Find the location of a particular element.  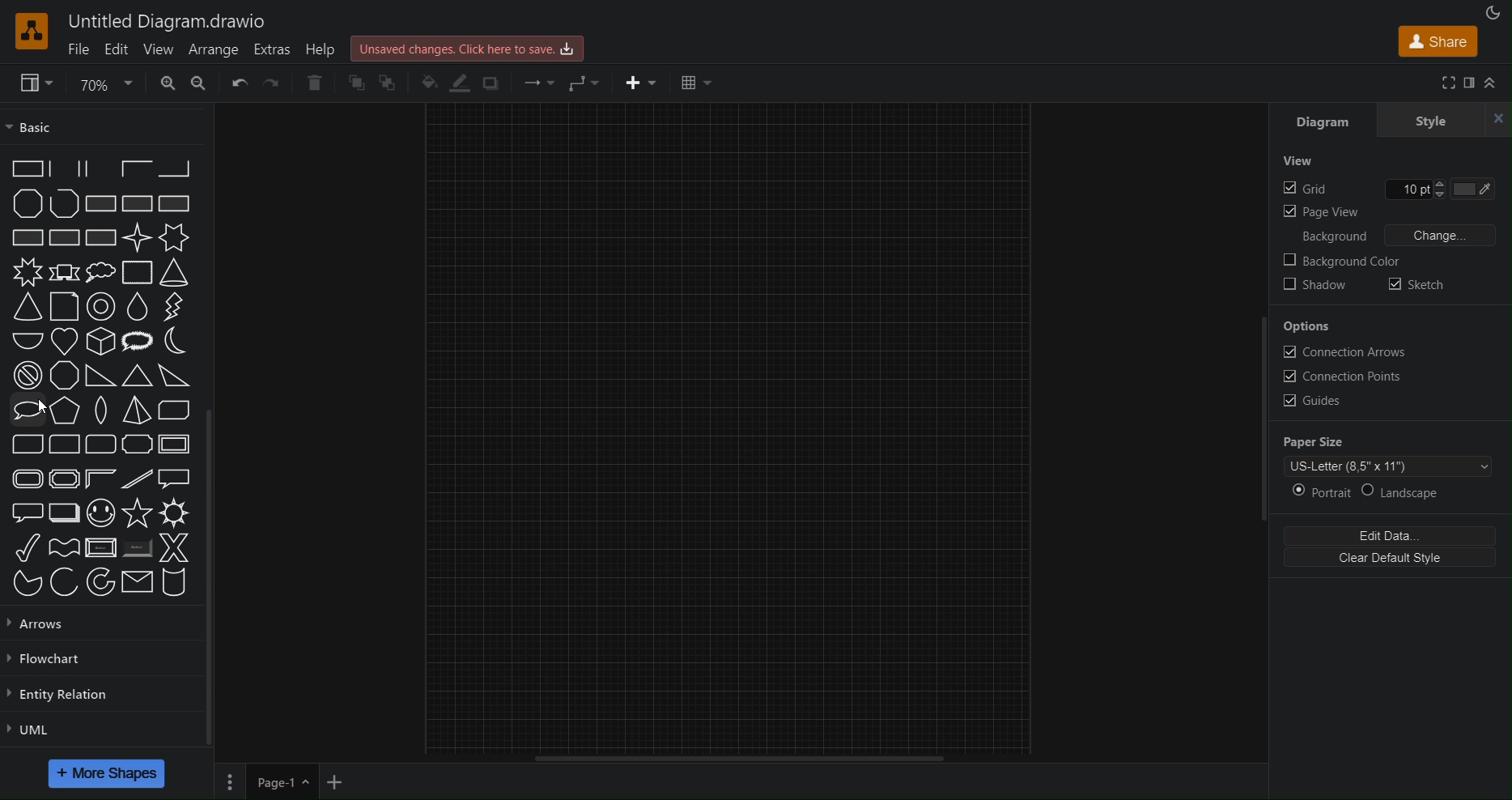

Partial Rectangle is located at coordinates (176, 169).